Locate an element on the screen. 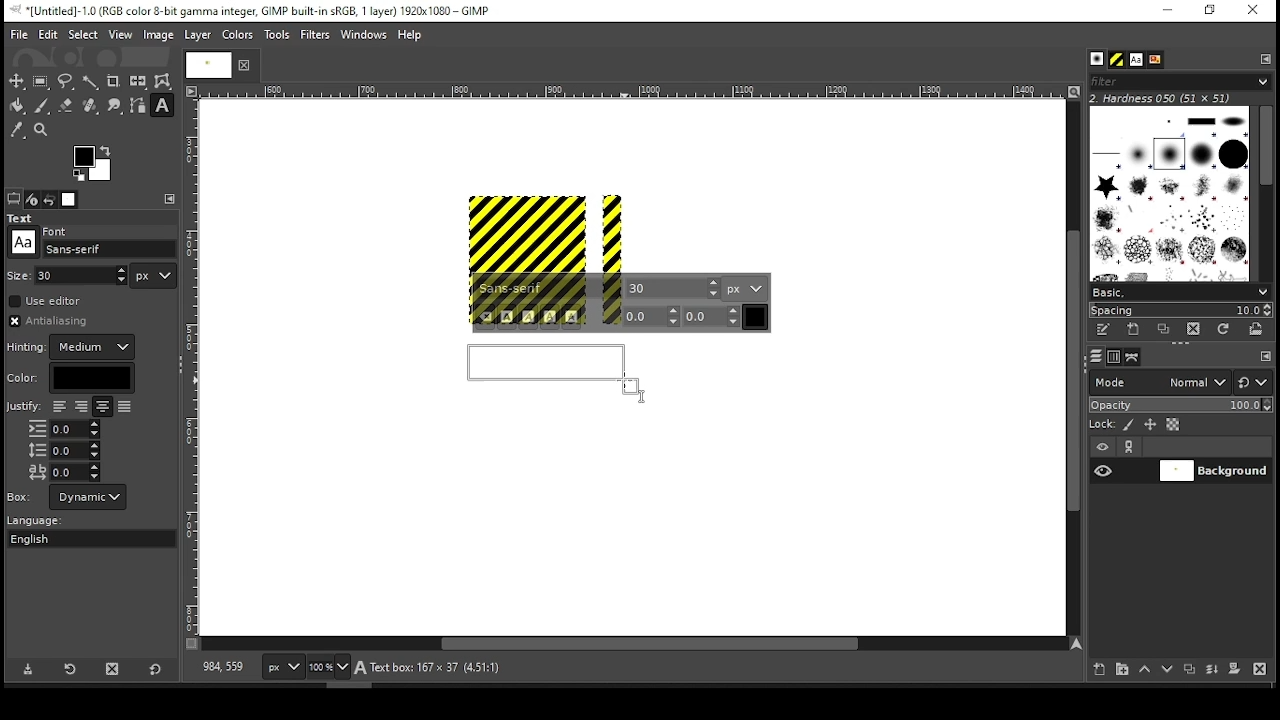 The width and height of the screenshot is (1280, 720). configure this tab is located at coordinates (1267, 58).